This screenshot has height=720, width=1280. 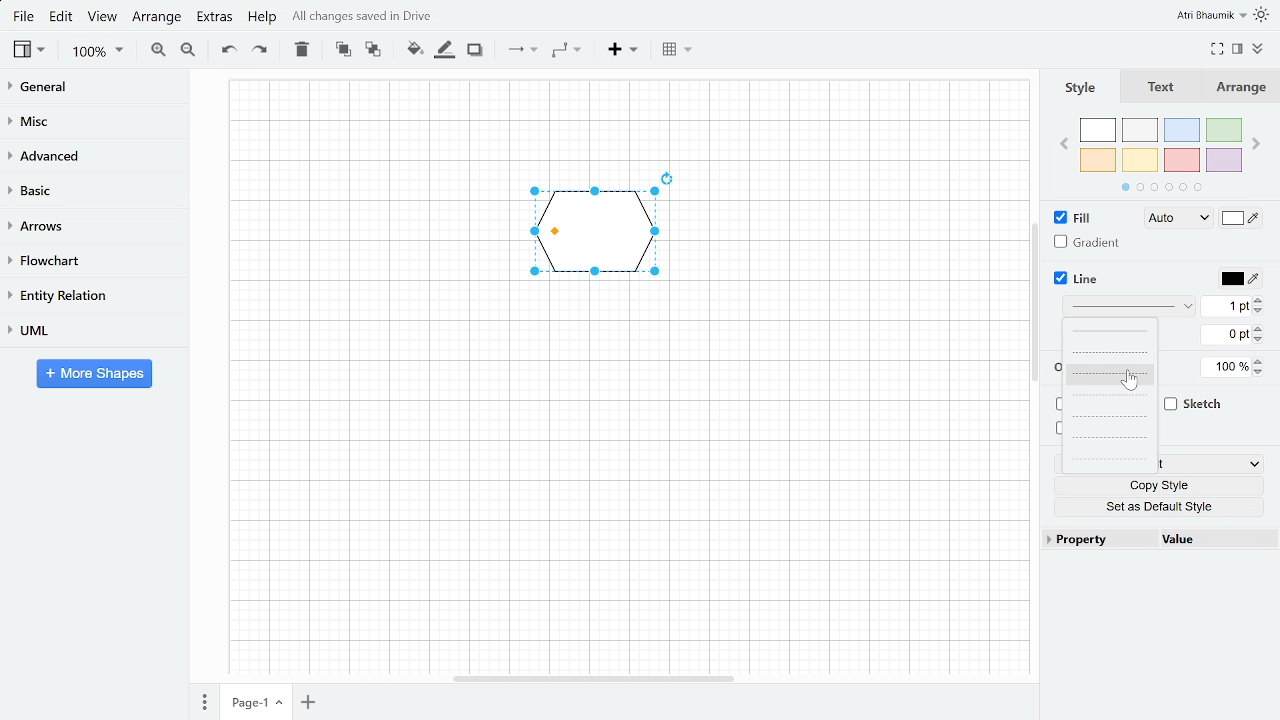 I want to click on Insert, so click(x=622, y=51).